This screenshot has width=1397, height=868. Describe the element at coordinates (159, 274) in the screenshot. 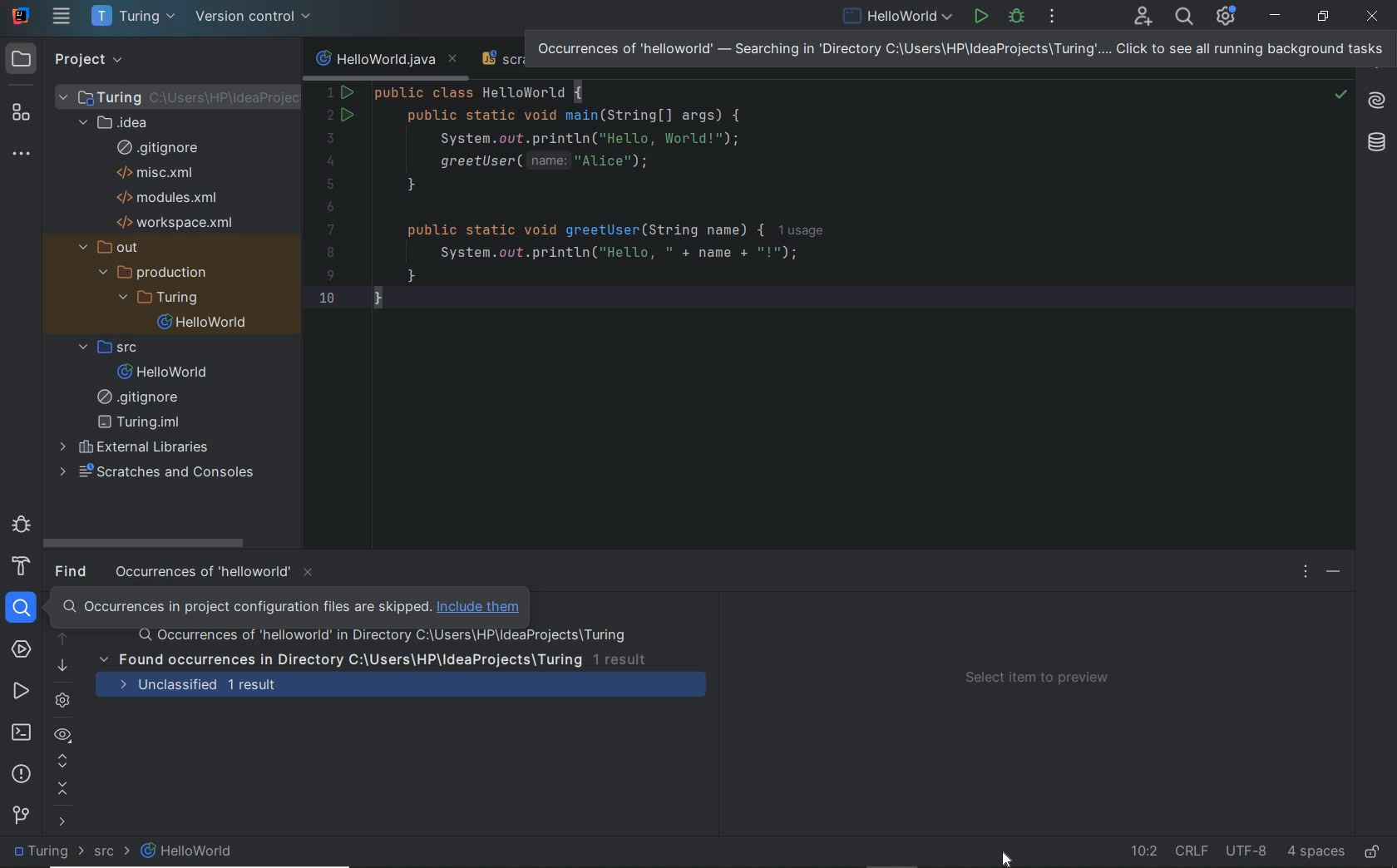

I see `production` at that location.